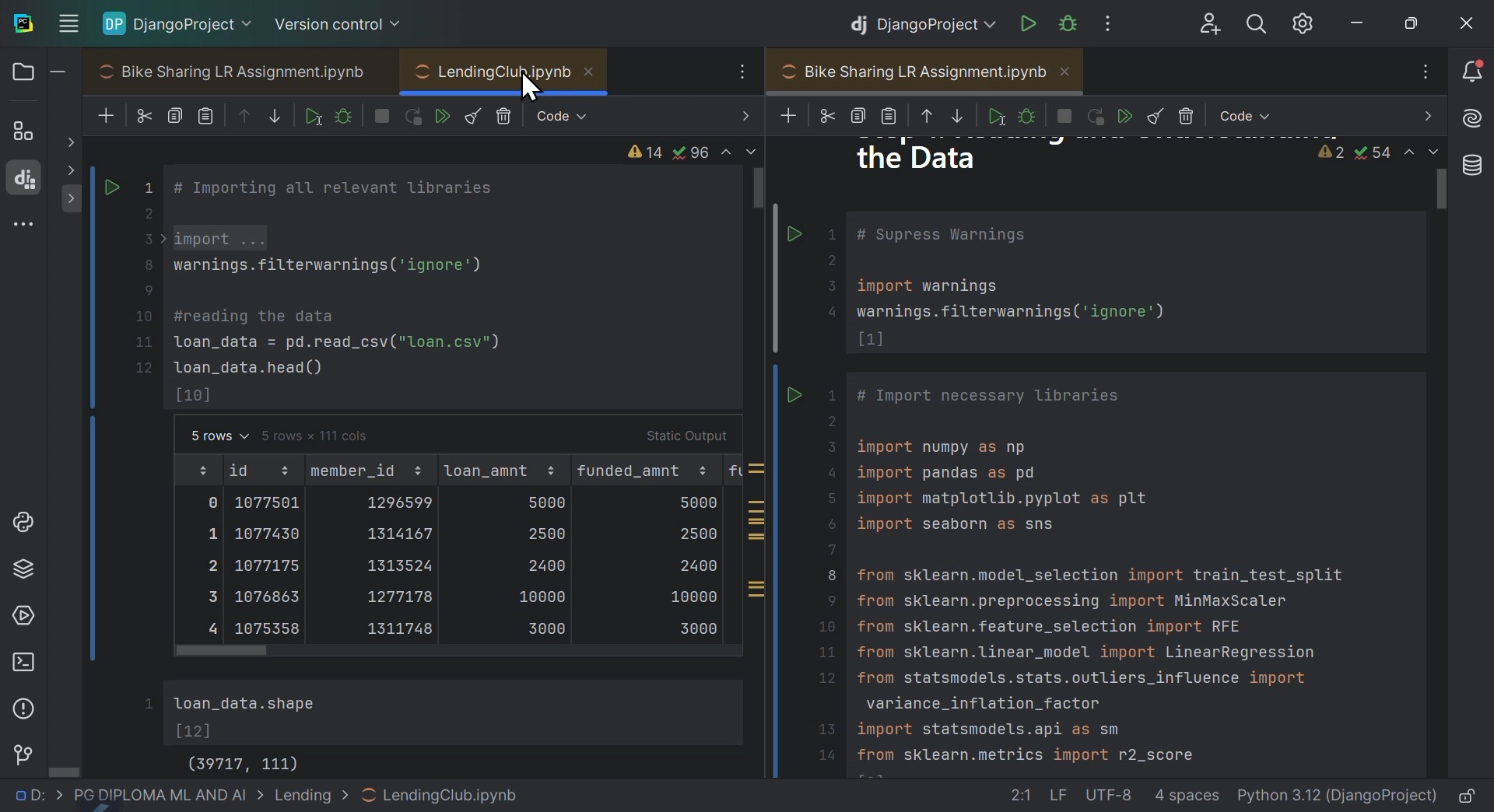 Image resolution: width=1494 pixels, height=812 pixels. What do you see at coordinates (348, 115) in the screenshot?
I see `debug sale` at bounding box center [348, 115].